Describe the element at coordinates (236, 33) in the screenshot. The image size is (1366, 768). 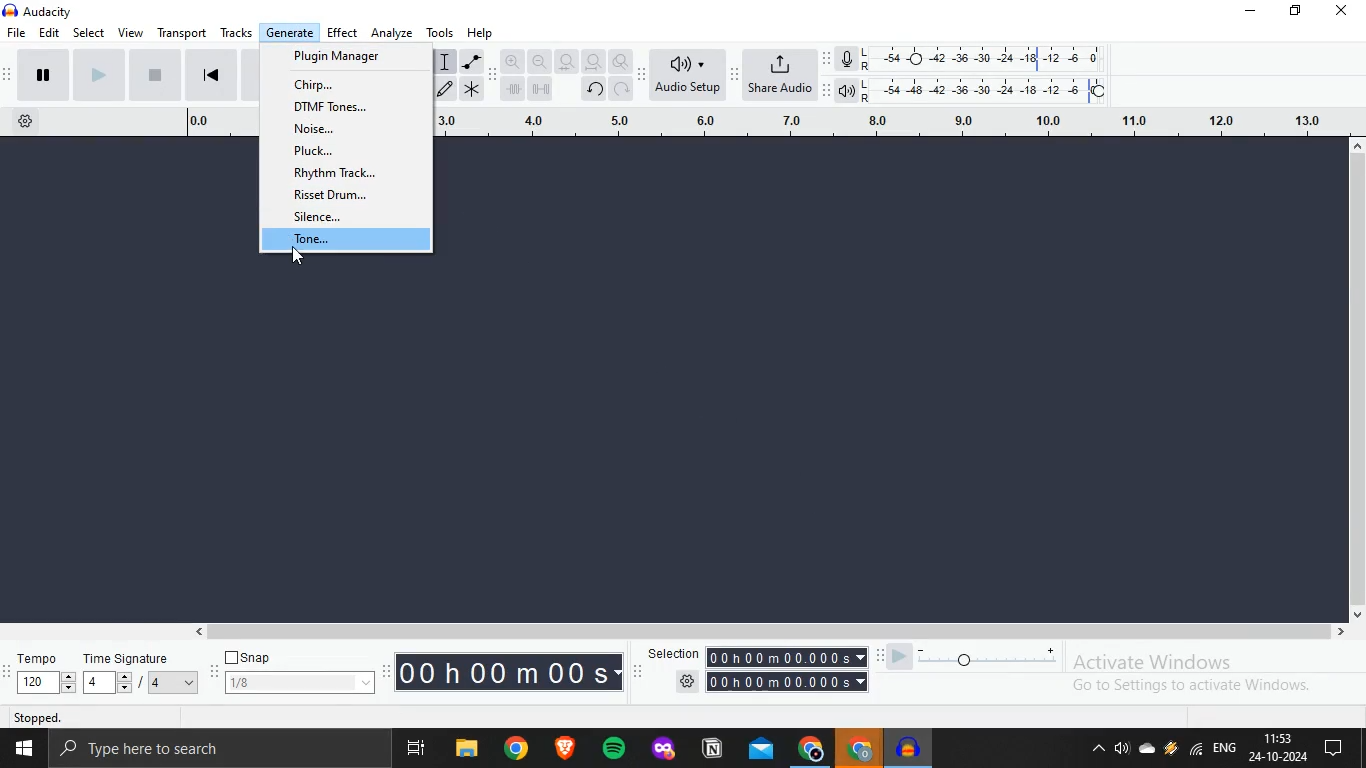
I see `Tracks` at that location.